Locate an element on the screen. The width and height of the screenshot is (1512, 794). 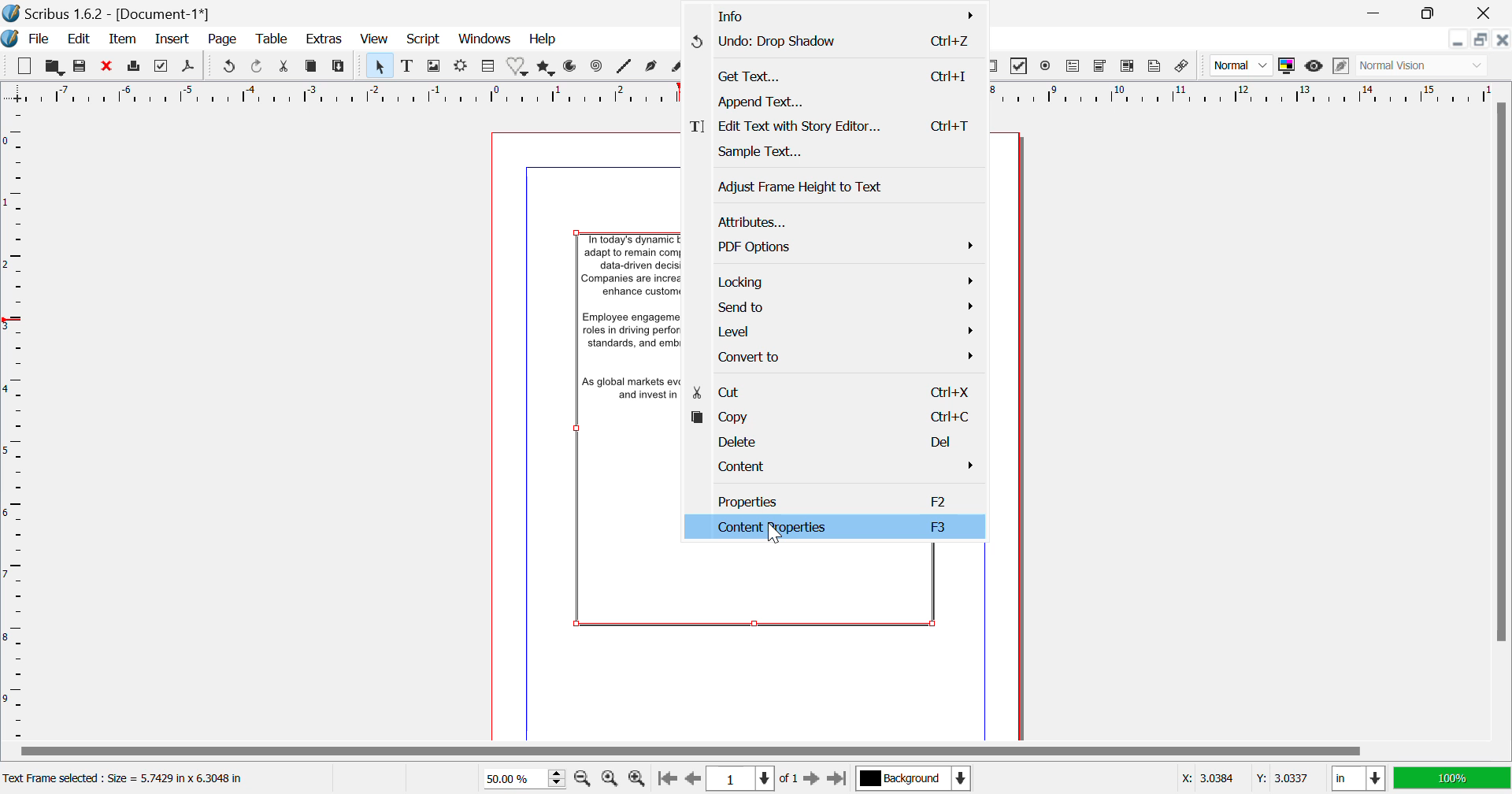
Horizontal Page Margins is located at coordinates (17, 425).